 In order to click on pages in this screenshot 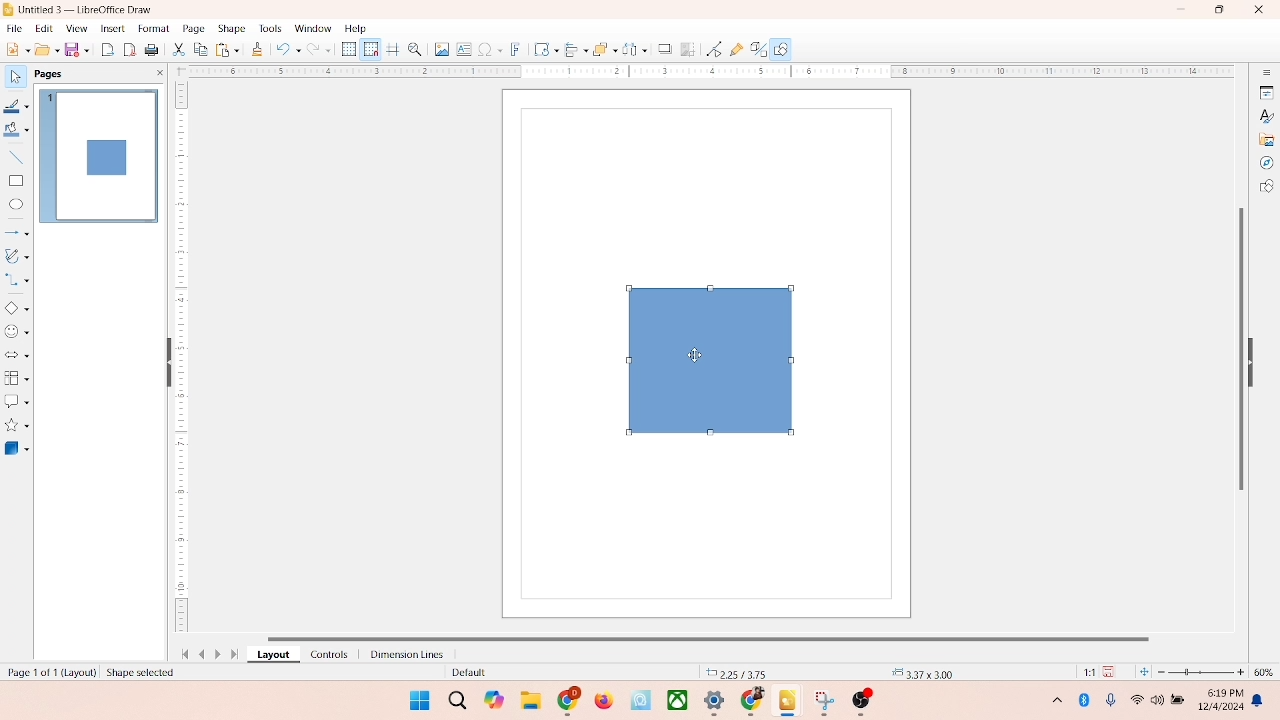, I will do `click(47, 72)`.